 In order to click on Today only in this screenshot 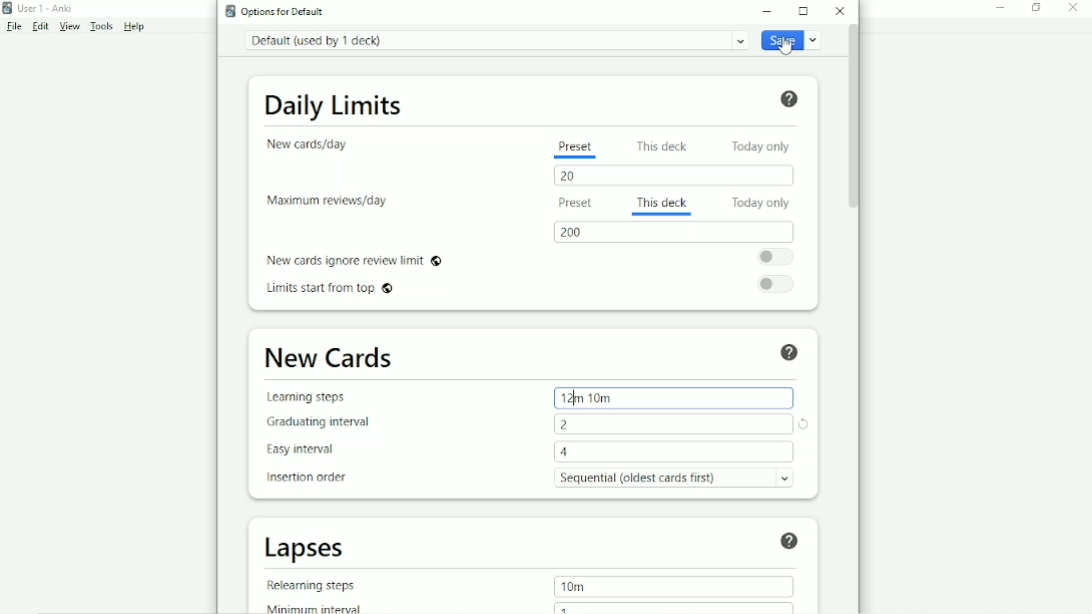, I will do `click(762, 146)`.